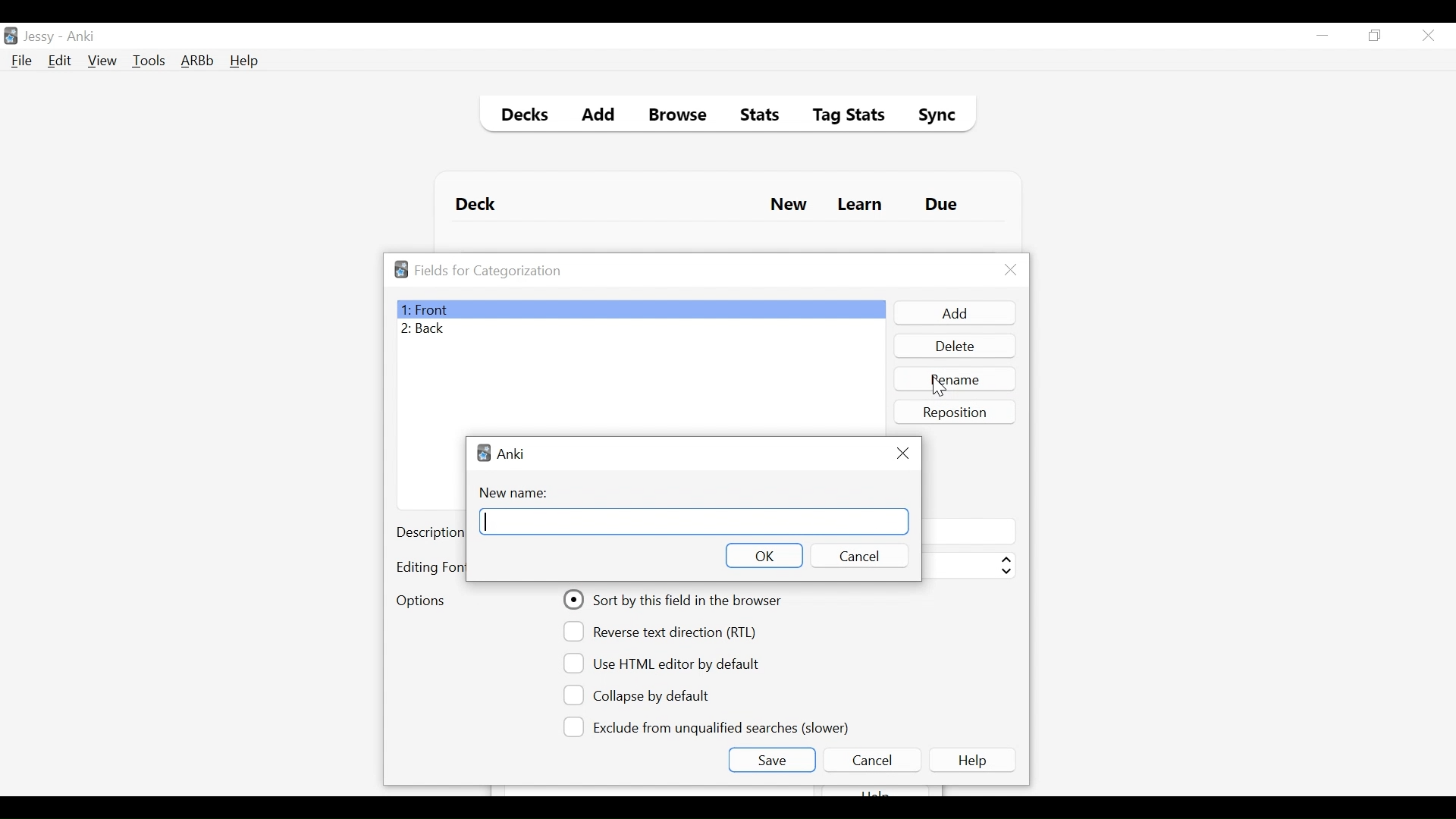 Image resolution: width=1456 pixels, height=819 pixels. Describe the element at coordinates (666, 663) in the screenshot. I see `(un)select Use HTML editor by default` at that location.